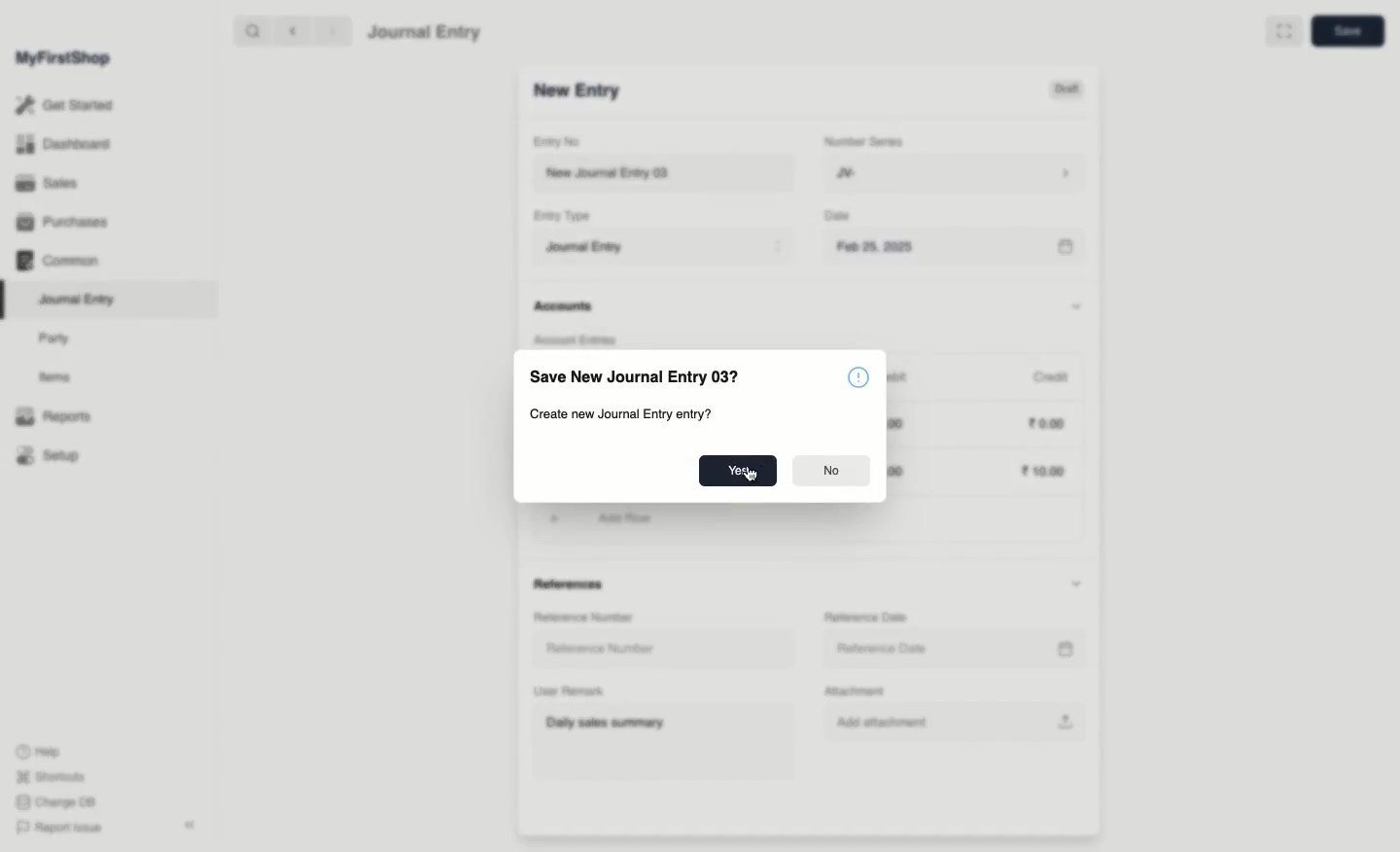 This screenshot has height=852, width=1400. Describe the element at coordinates (190, 825) in the screenshot. I see `Collapse` at that location.